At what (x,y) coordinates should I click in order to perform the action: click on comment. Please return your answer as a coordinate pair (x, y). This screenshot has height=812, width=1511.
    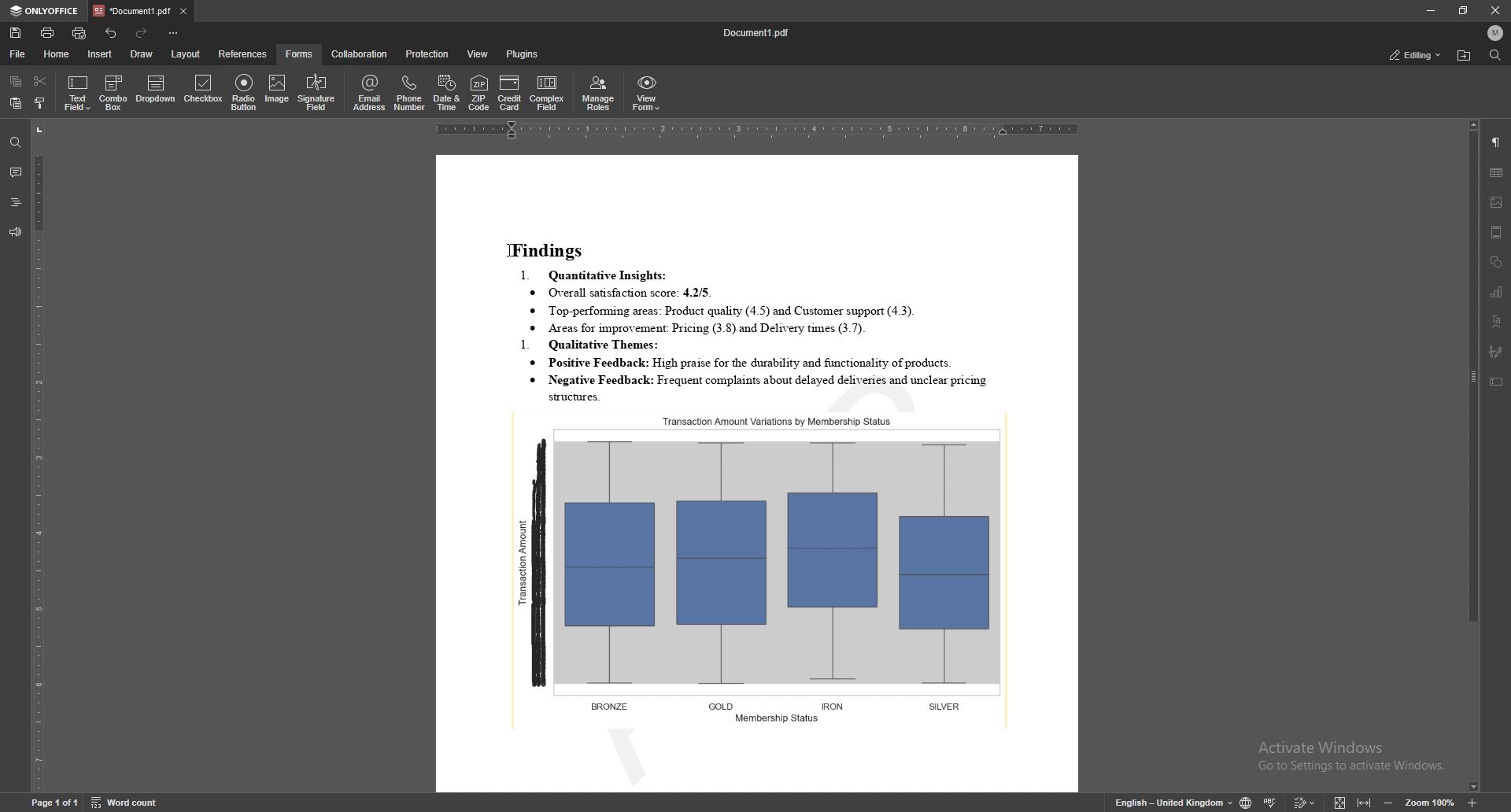
    Looking at the image, I should click on (15, 172).